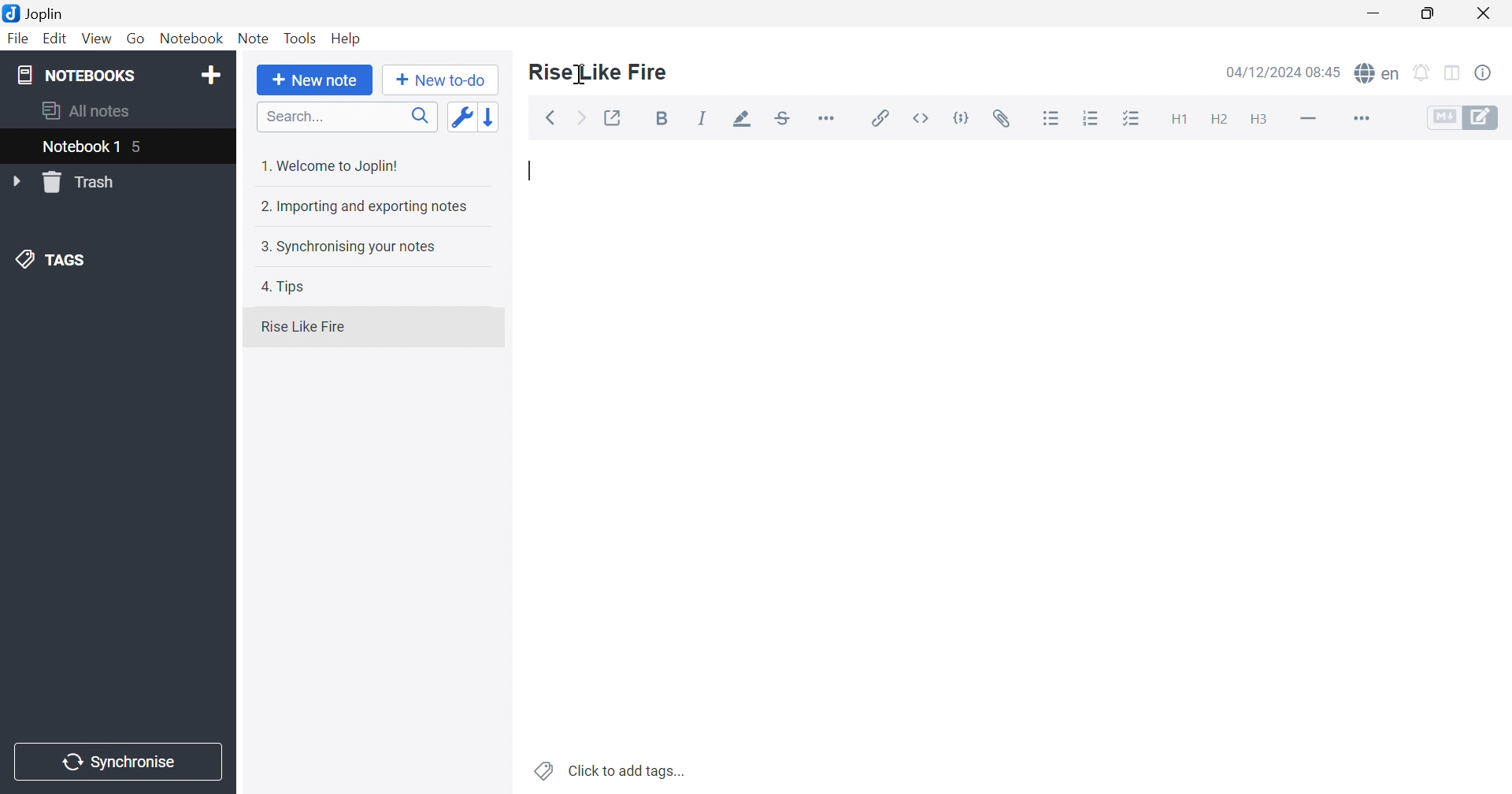 The image size is (1512, 794). Describe the element at coordinates (1485, 72) in the screenshot. I see `Notes properties` at that location.